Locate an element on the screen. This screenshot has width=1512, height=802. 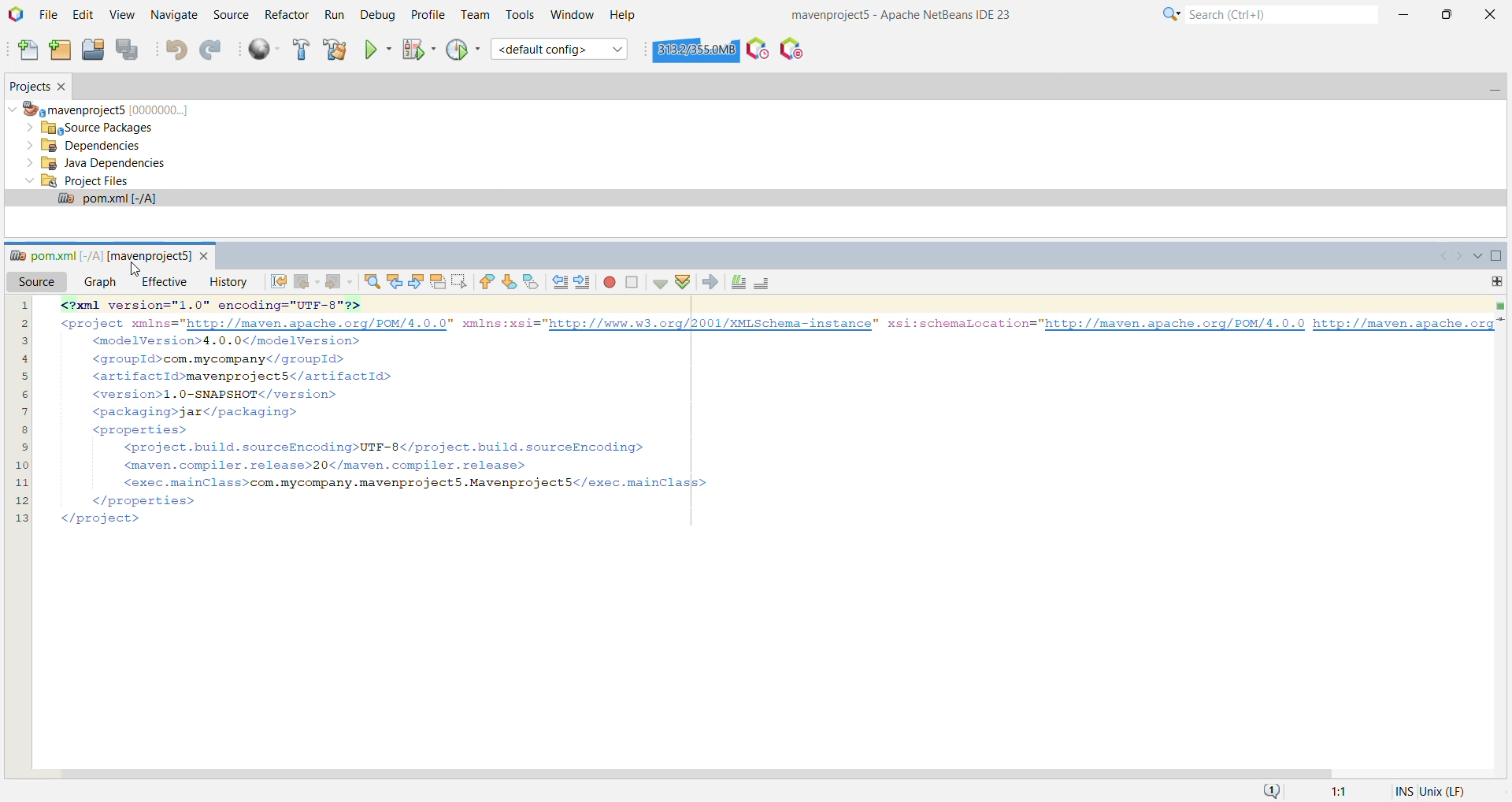
Source is located at coordinates (37, 281).